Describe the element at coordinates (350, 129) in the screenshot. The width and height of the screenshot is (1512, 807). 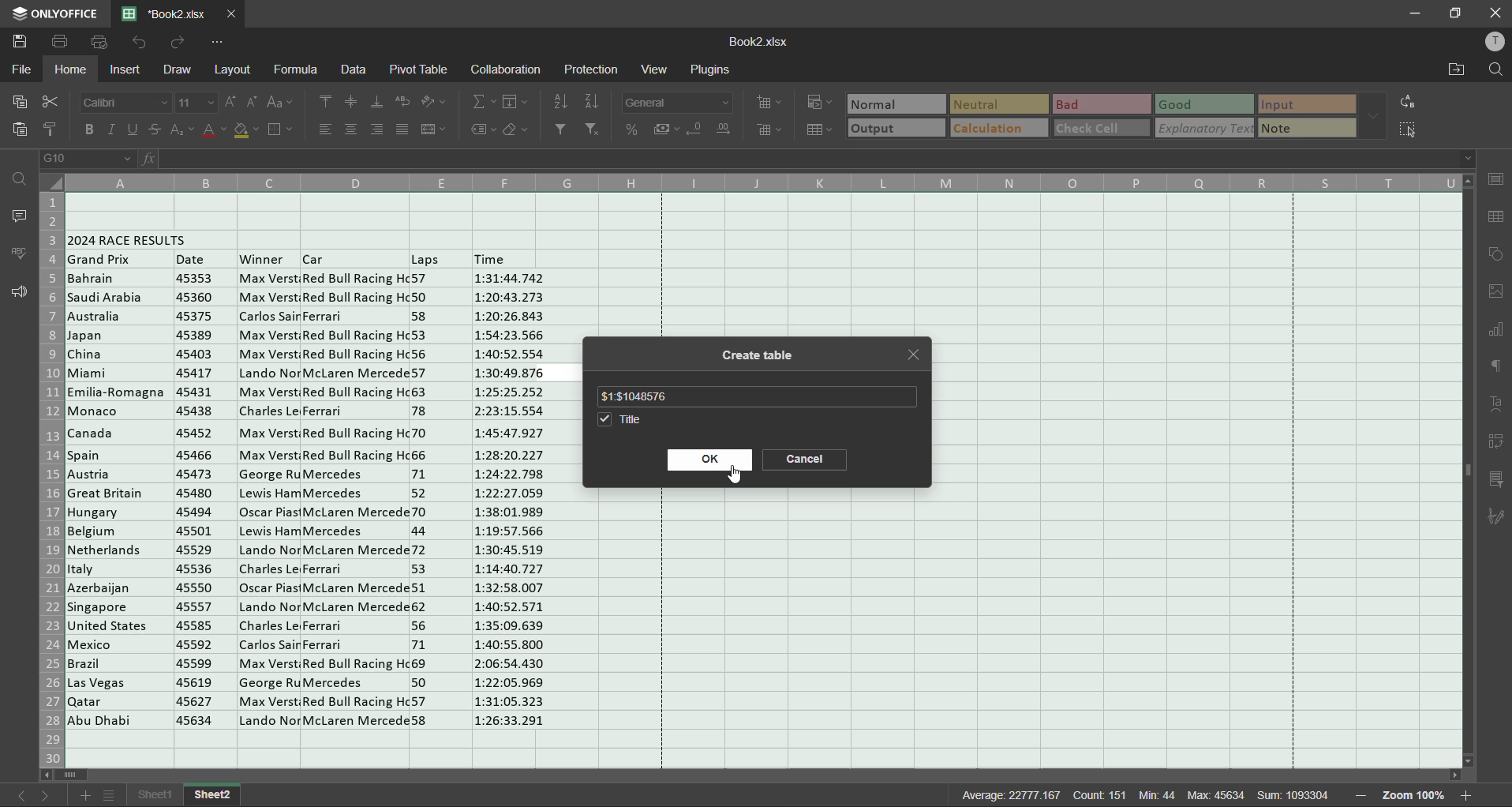
I see `align center` at that location.